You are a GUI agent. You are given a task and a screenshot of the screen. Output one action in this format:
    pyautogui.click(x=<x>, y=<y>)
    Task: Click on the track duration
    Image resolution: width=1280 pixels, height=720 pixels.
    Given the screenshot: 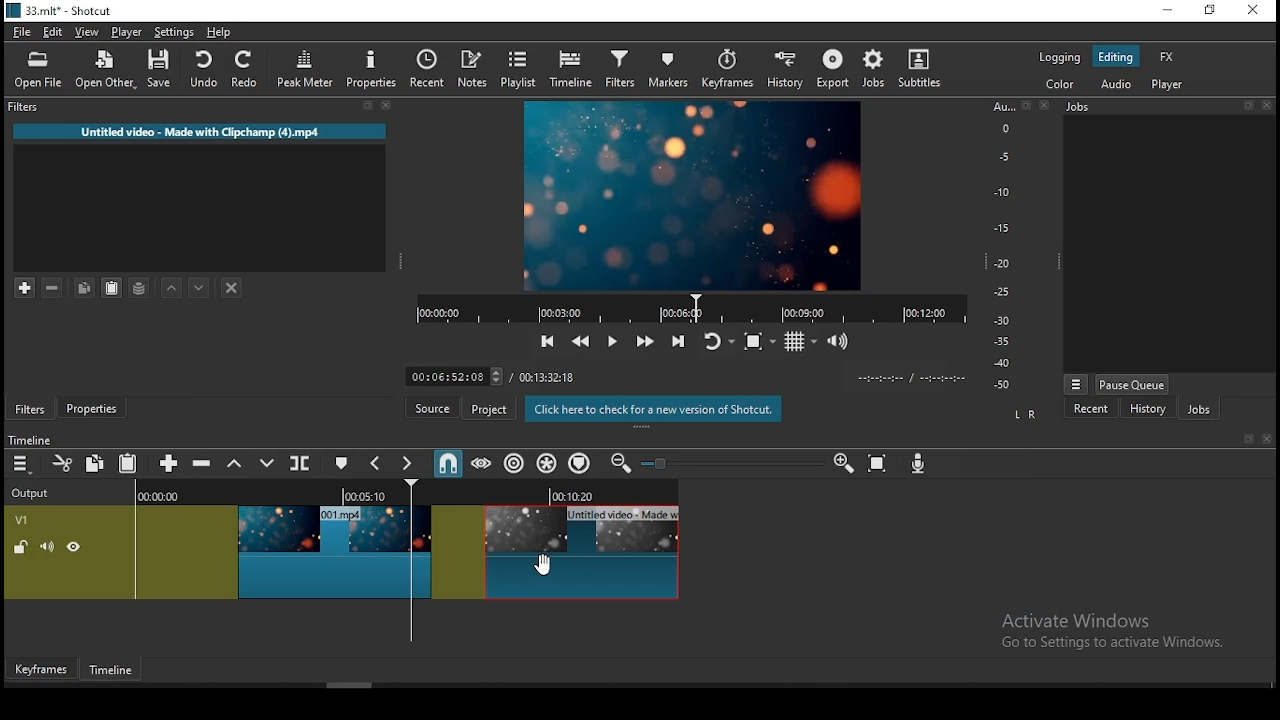 What is the action you would take?
    pyautogui.click(x=550, y=376)
    